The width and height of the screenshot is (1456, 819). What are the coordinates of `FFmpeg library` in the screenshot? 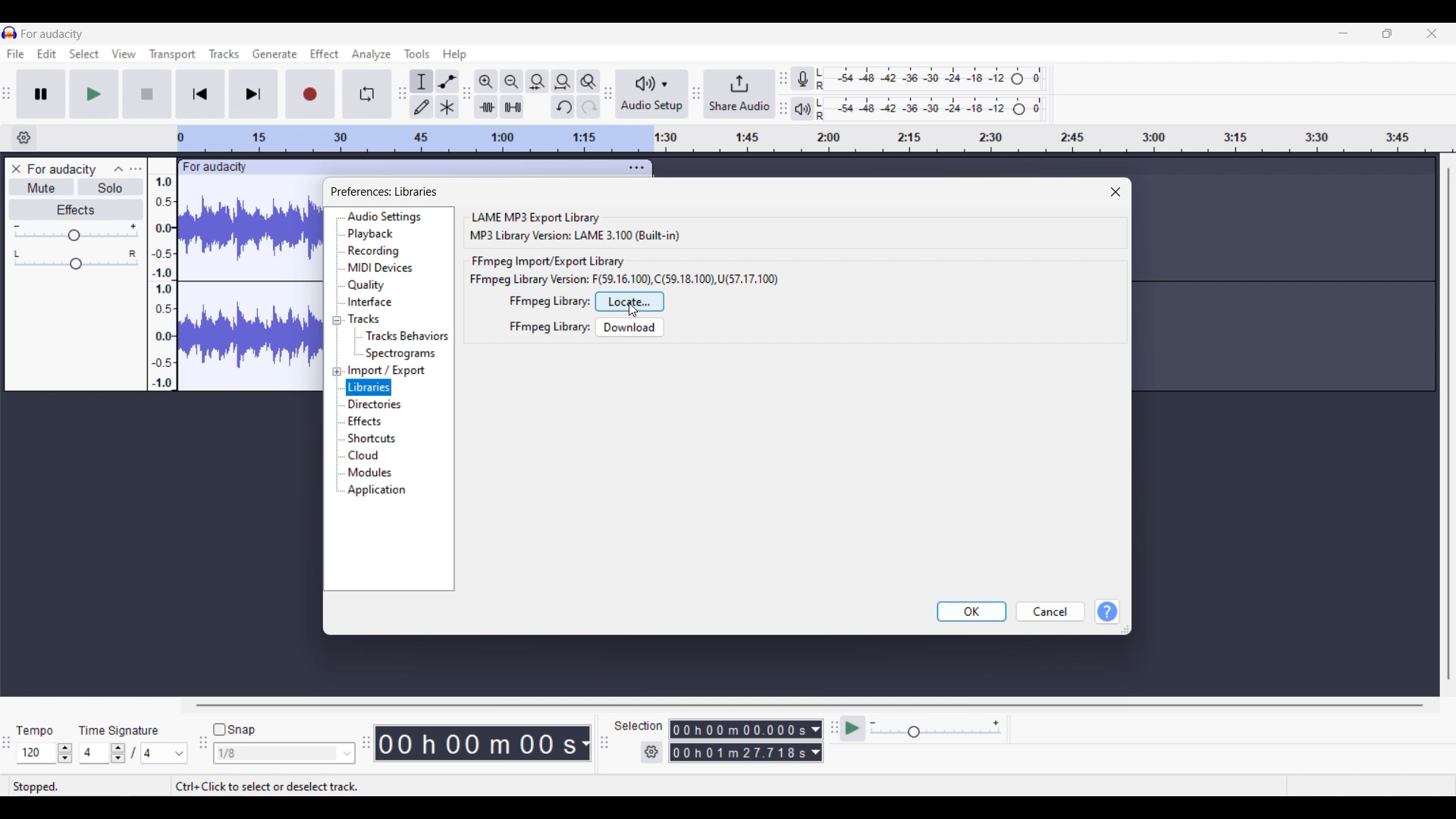 It's located at (549, 327).